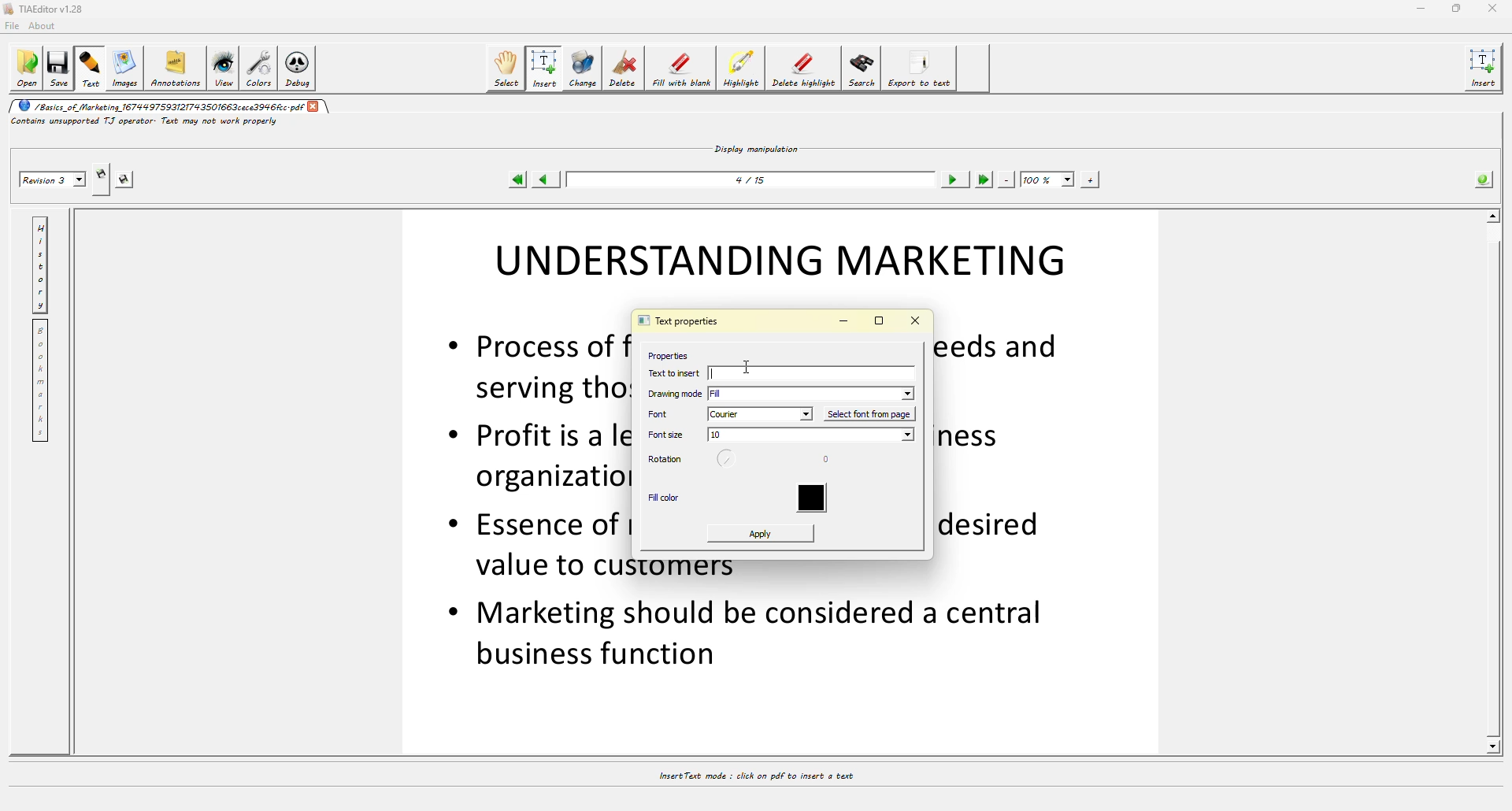 This screenshot has width=1512, height=811. What do you see at coordinates (299, 67) in the screenshot?
I see `debug` at bounding box center [299, 67].